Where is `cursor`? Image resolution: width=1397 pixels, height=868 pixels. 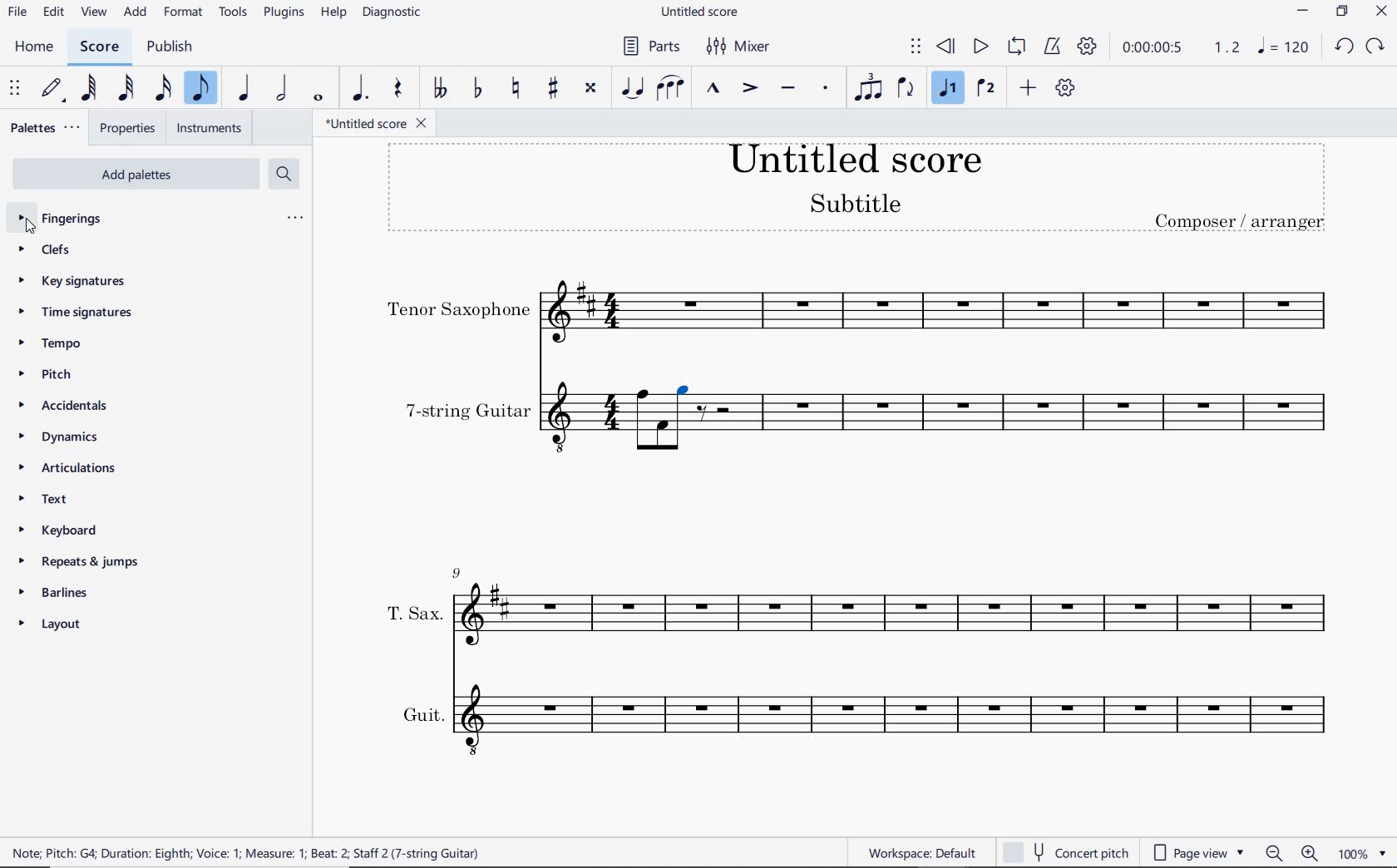 cursor is located at coordinates (29, 226).